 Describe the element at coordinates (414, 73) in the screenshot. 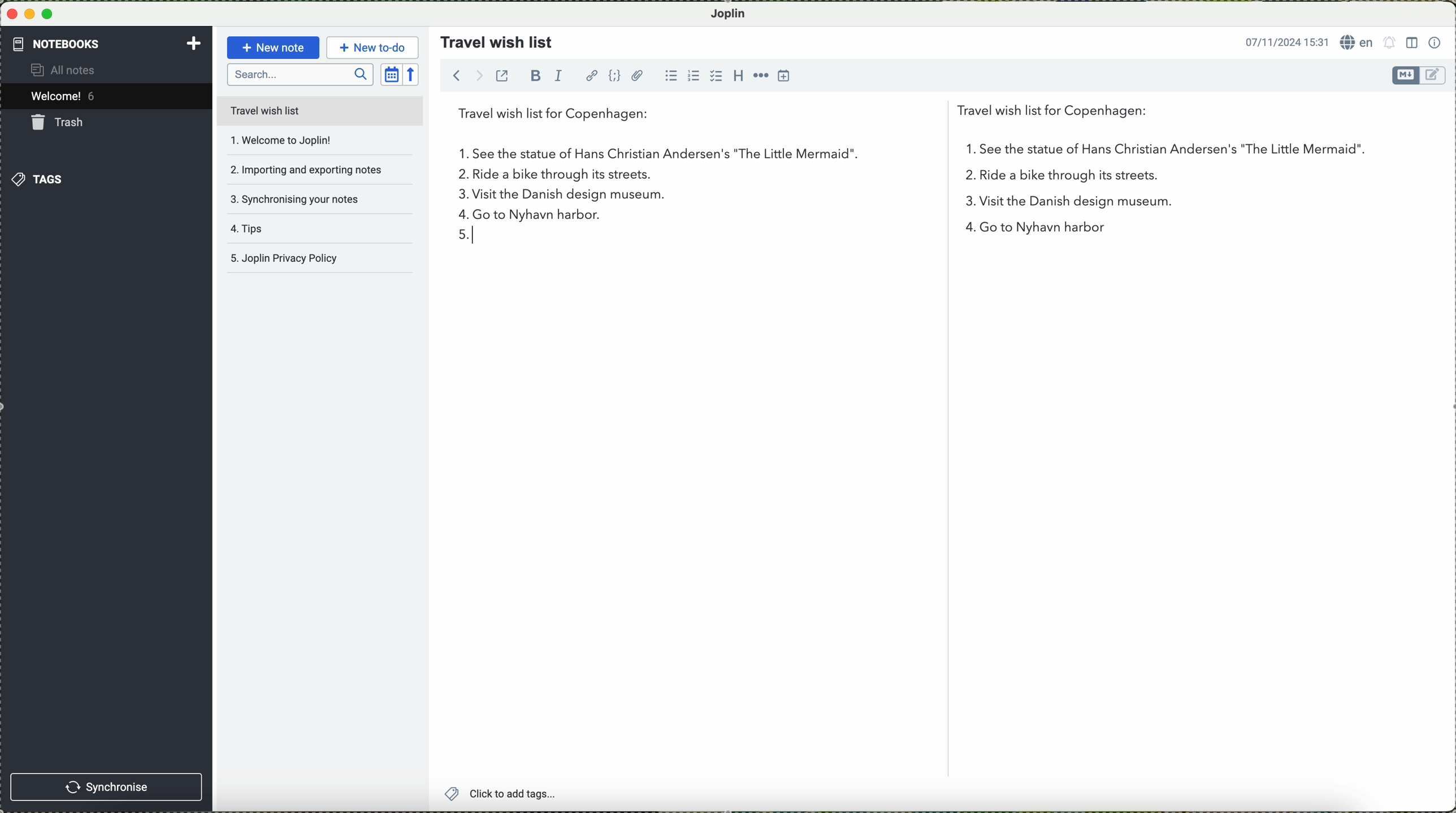

I see `reverse sort order` at that location.